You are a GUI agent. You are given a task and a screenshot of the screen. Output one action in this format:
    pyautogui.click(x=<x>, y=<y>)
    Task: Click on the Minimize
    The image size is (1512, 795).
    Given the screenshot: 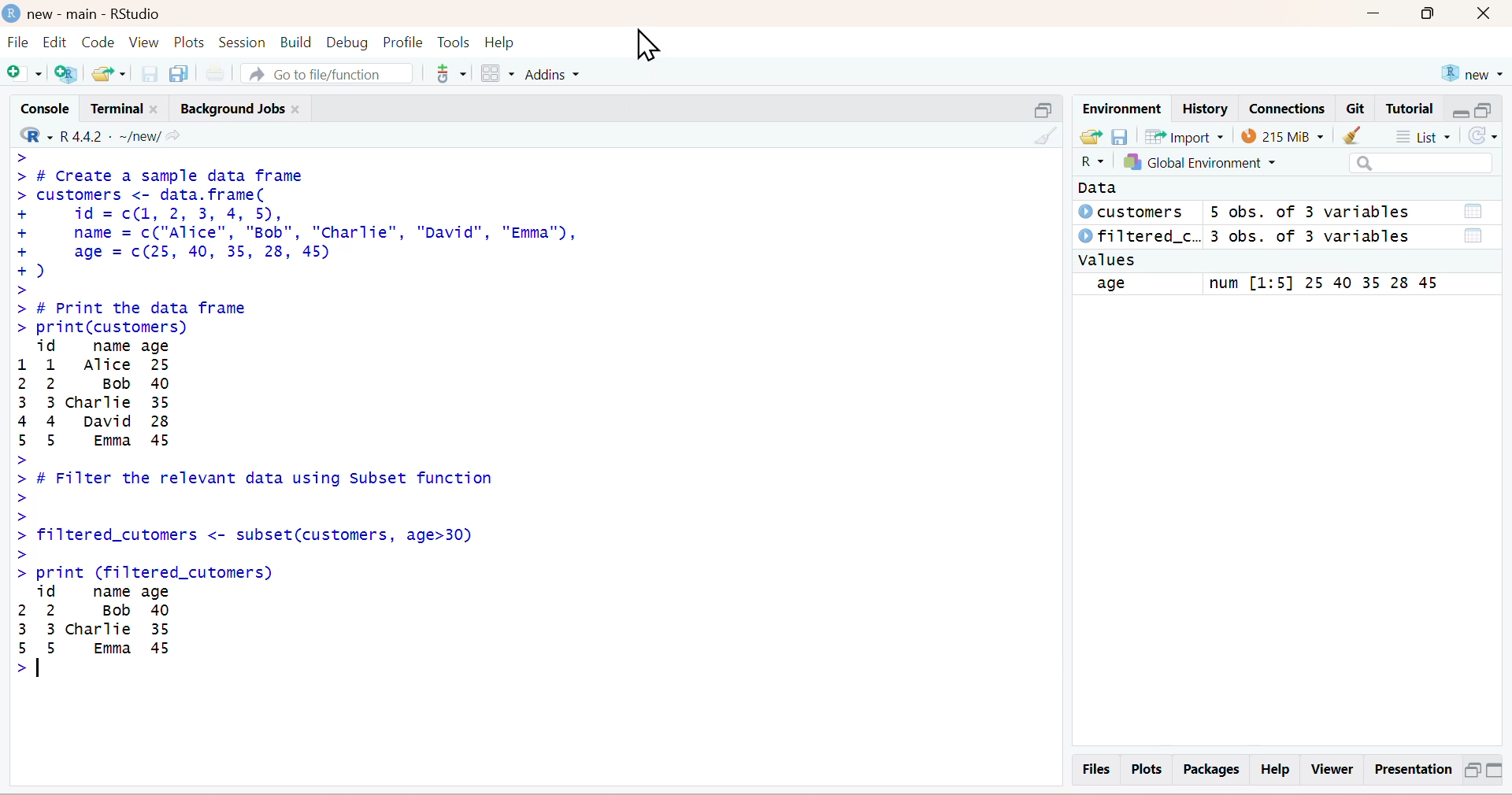 What is the action you would take?
    pyautogui.click(x=1499, y=771)
    